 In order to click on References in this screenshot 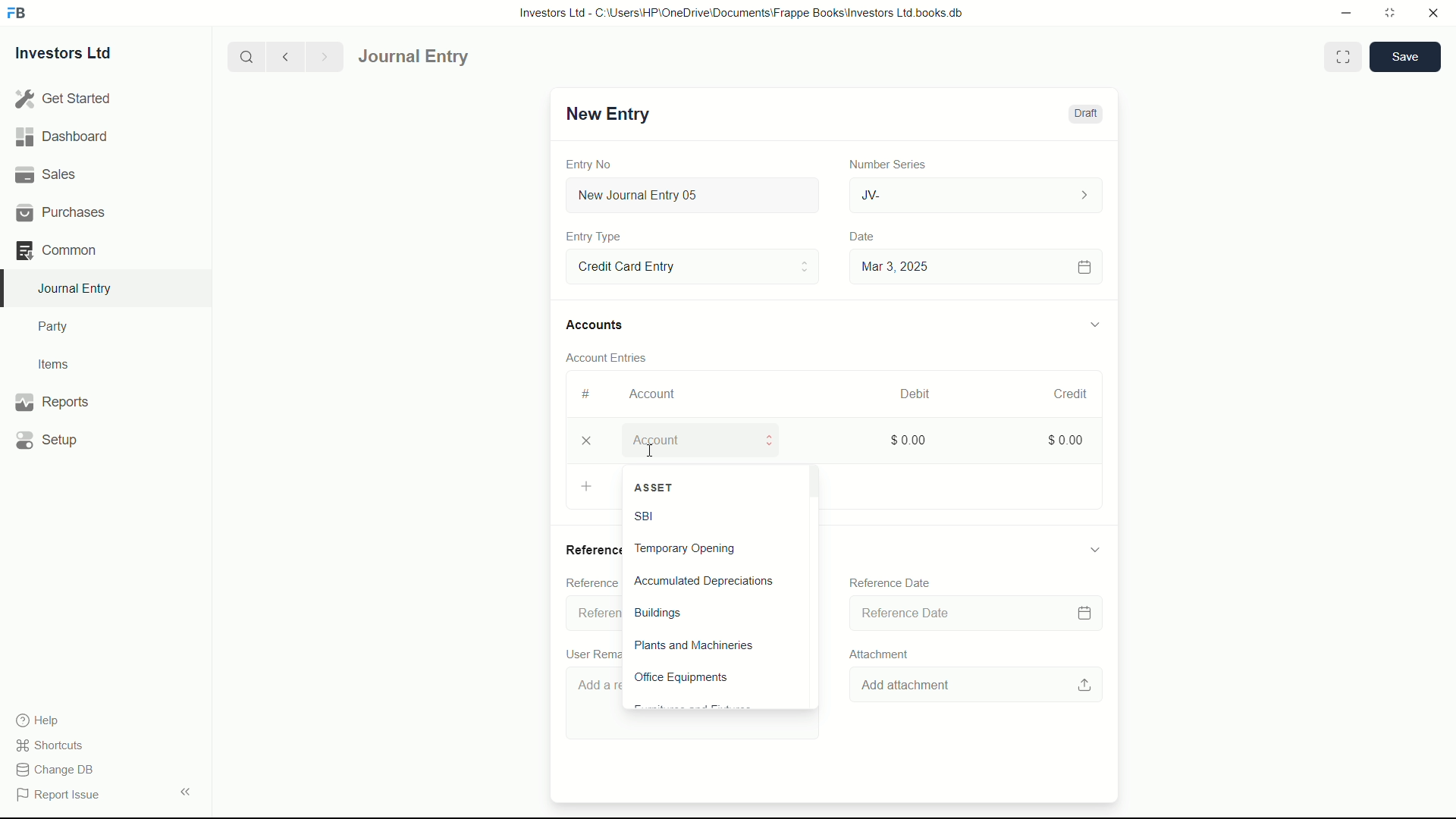, I will do `click(591, 549)`.